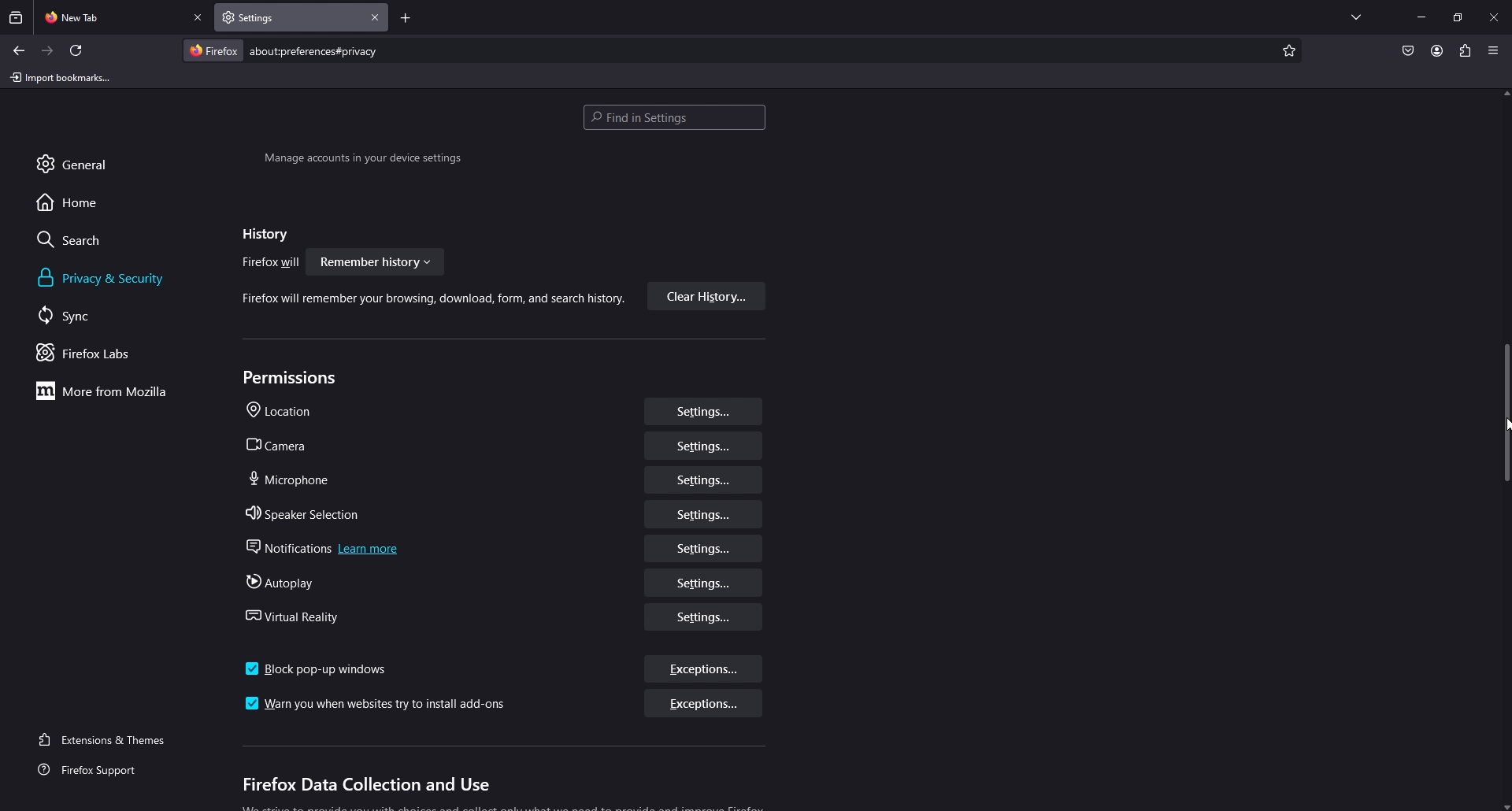 This screenshot has height=811, width=1512. I want to click on extensions and themes, so click(112, 738).